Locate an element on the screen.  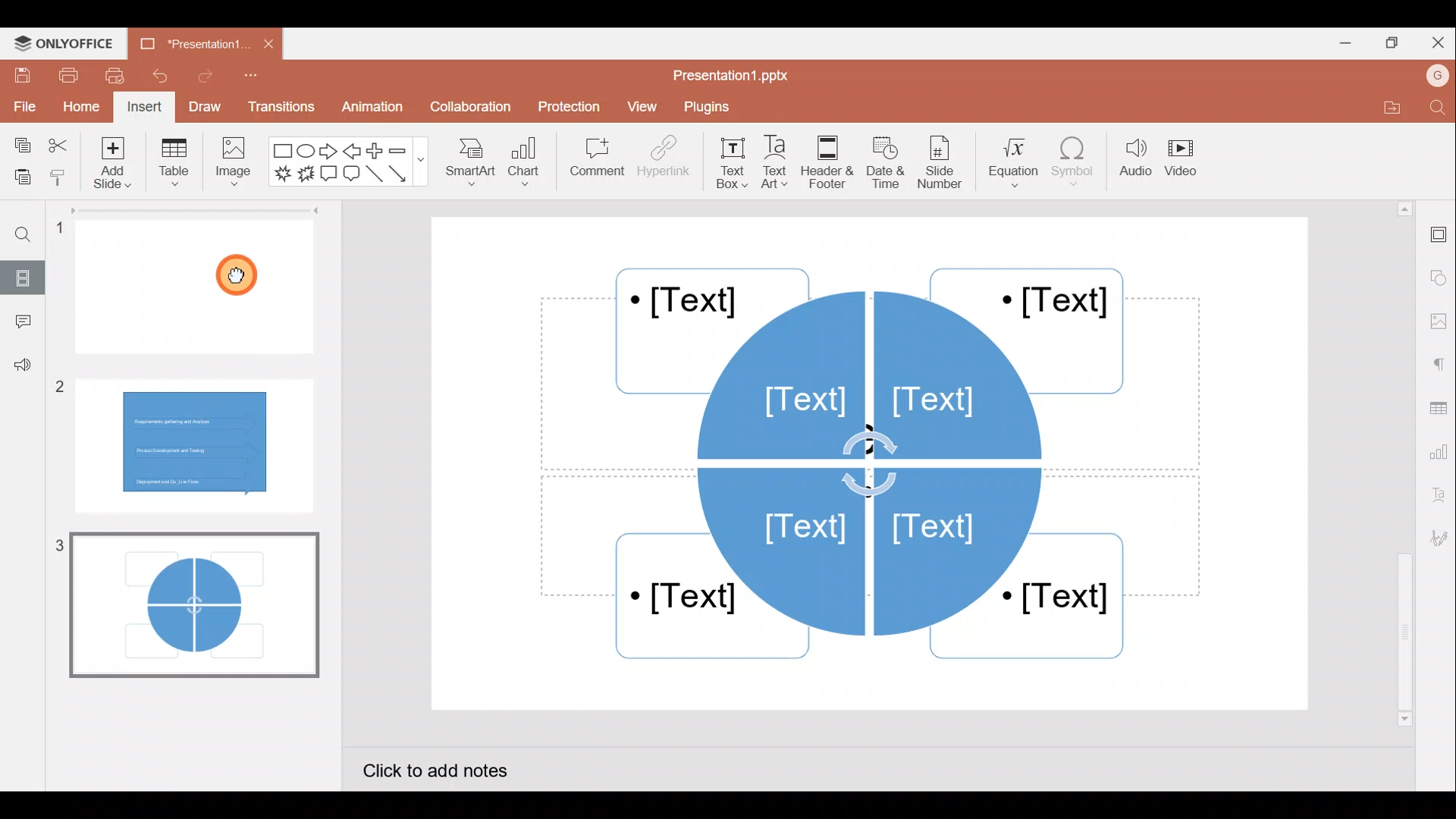
Slide settings is located at coordinates (1437, 236).